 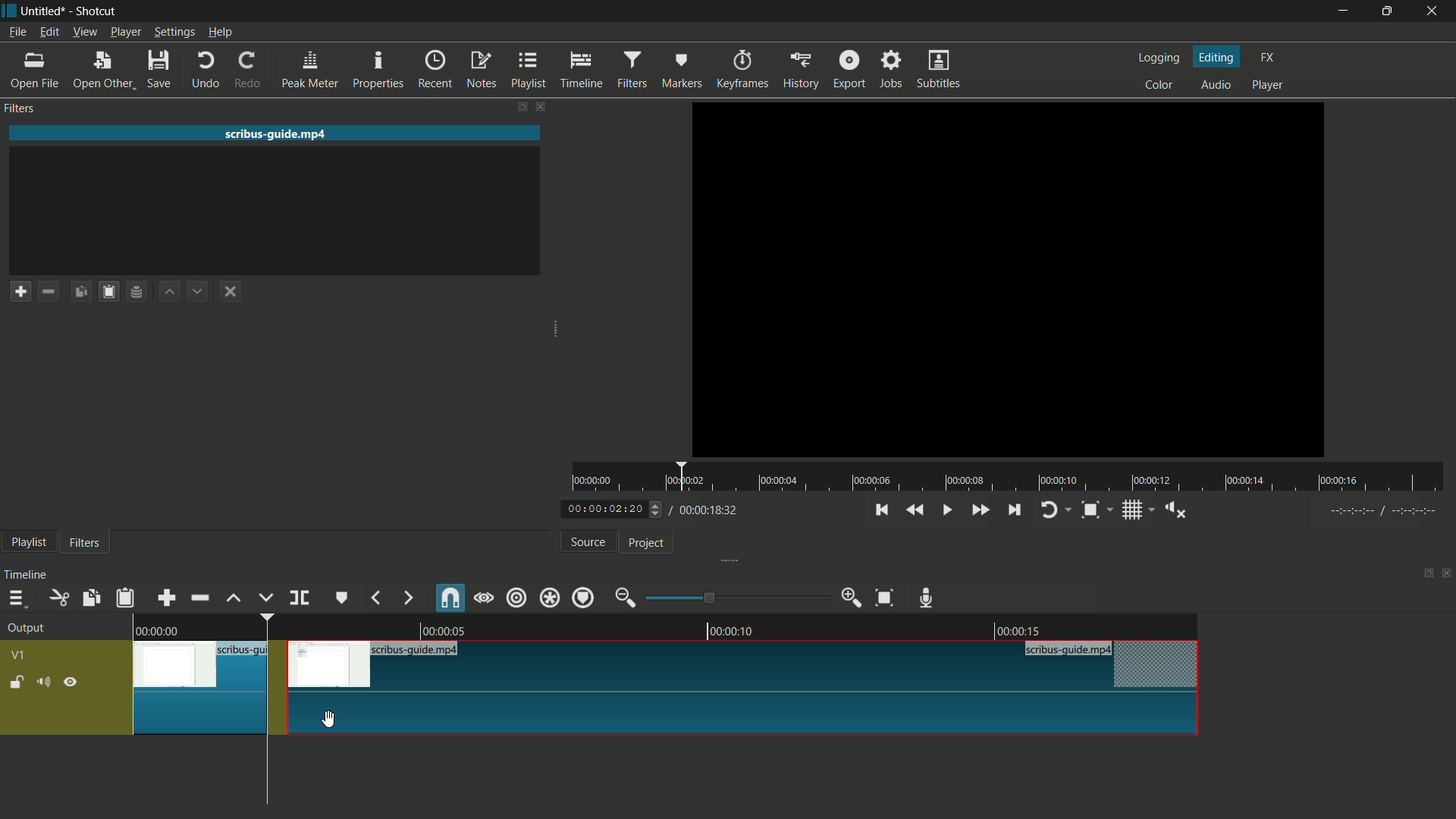 What do you see at coordinates (924, 598) in the screenshot?
I see `record audio` at bounding box center [924, 598].